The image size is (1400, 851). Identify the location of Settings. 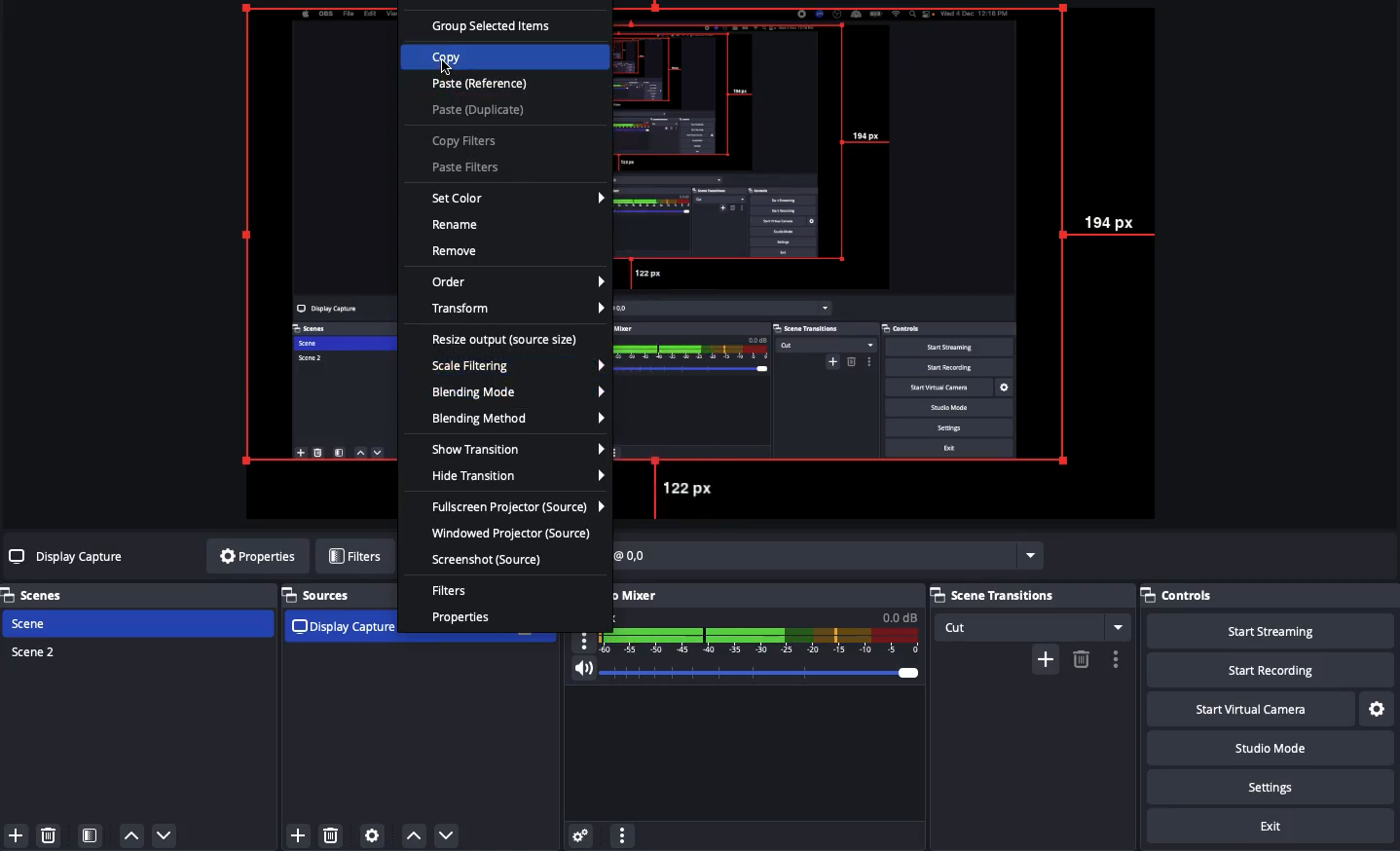
(1269, 786).